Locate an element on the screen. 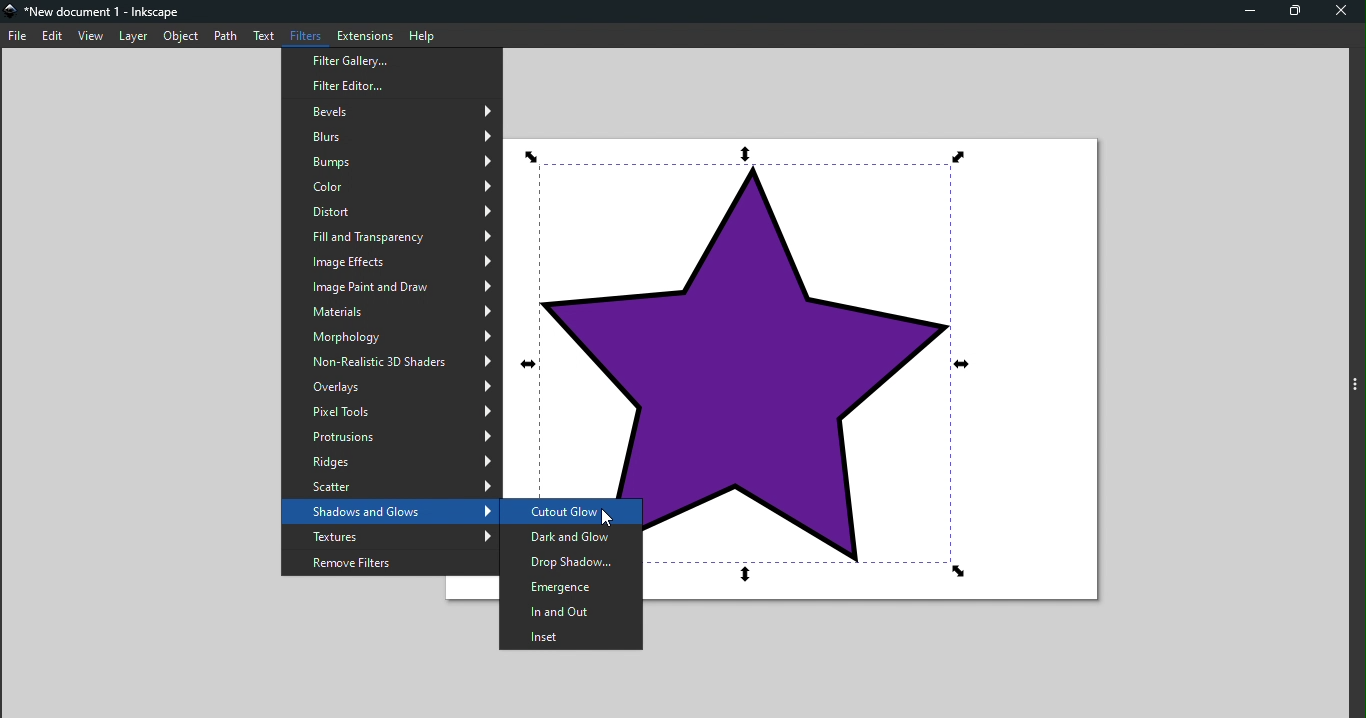  Pixel is located at coordinates (394, 413).